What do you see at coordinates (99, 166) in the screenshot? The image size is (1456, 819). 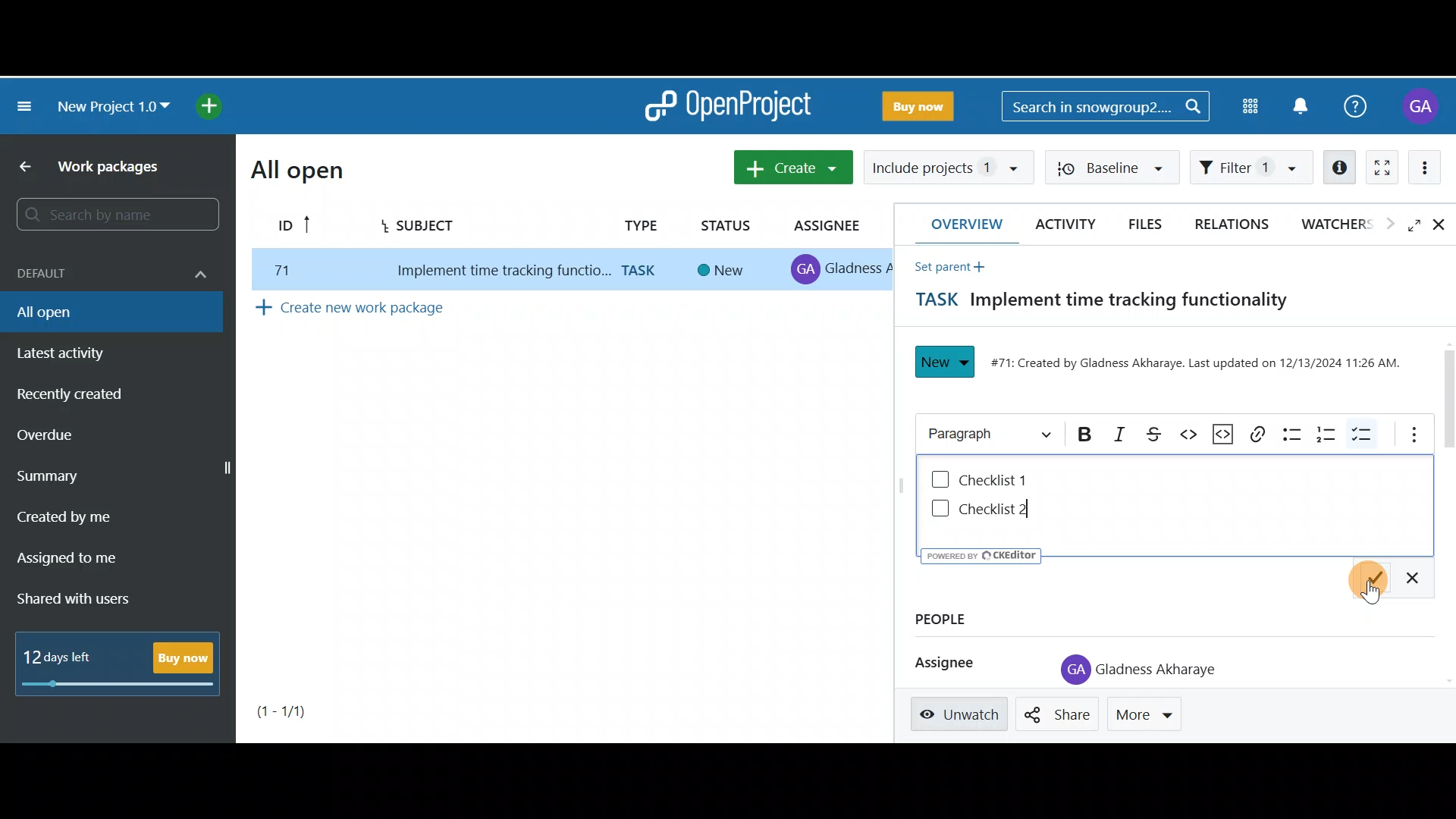 I see `Work packages` at bounding box center [99, 166].